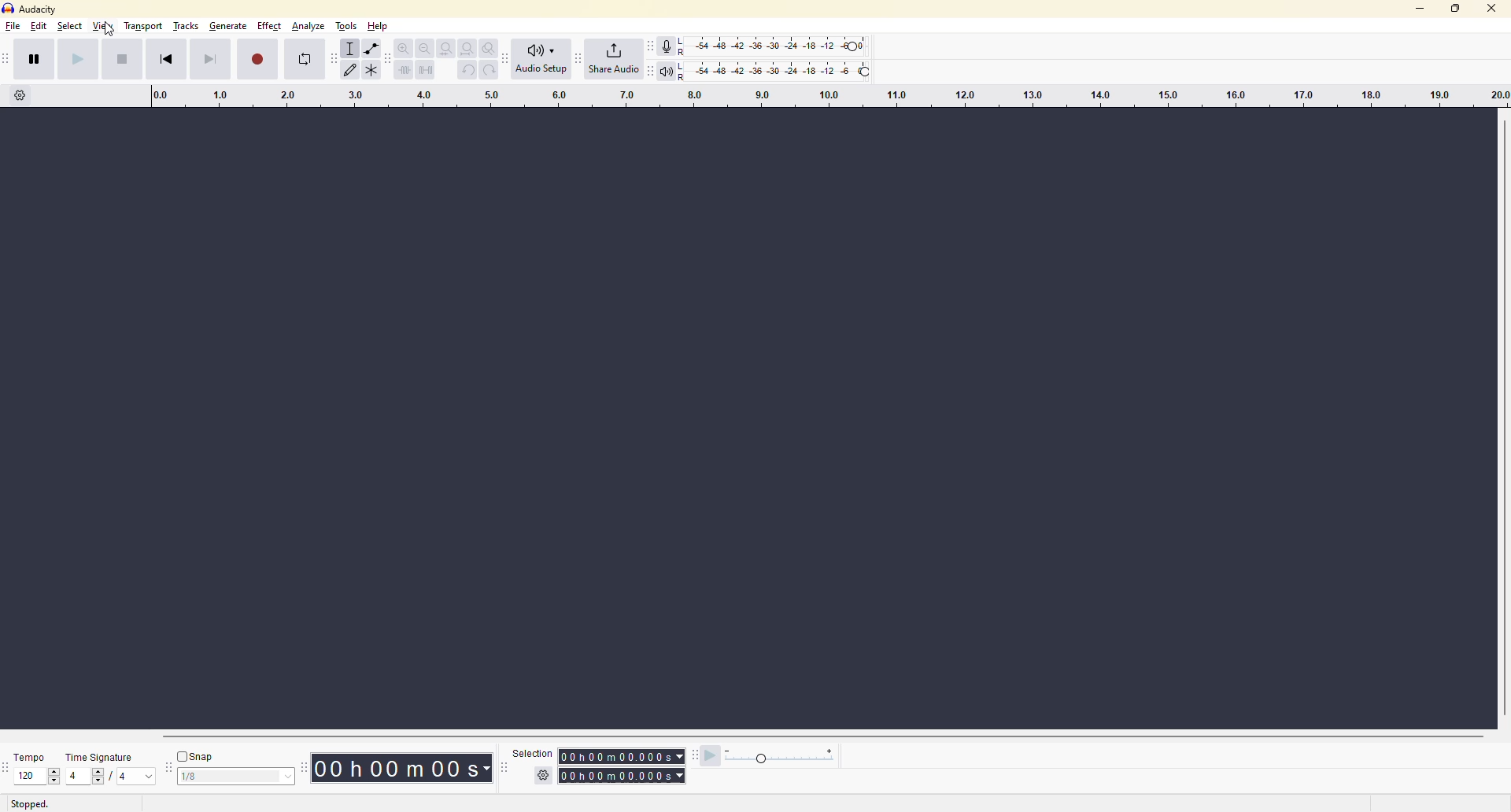  Describe the element at coordinates (346, 27) in the screenshot. I see `tools` at that location.